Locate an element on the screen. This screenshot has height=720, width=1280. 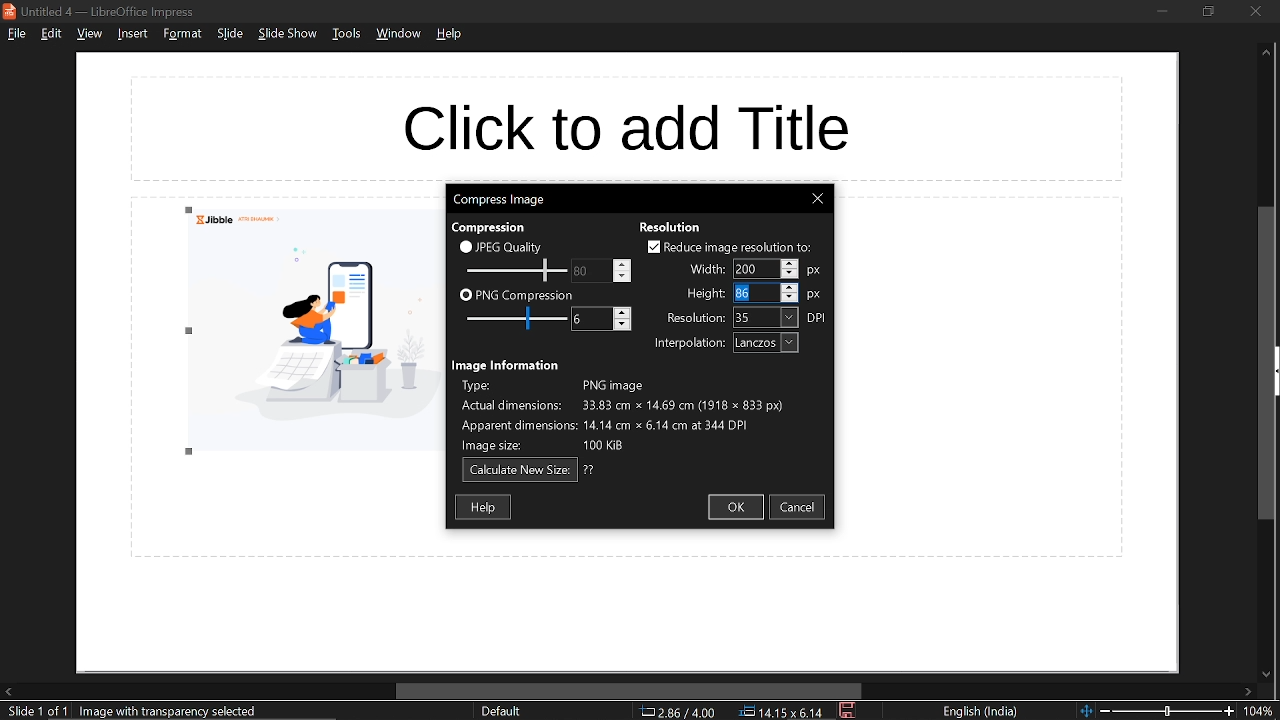
increase png compression is located at coordinates (623, 312).